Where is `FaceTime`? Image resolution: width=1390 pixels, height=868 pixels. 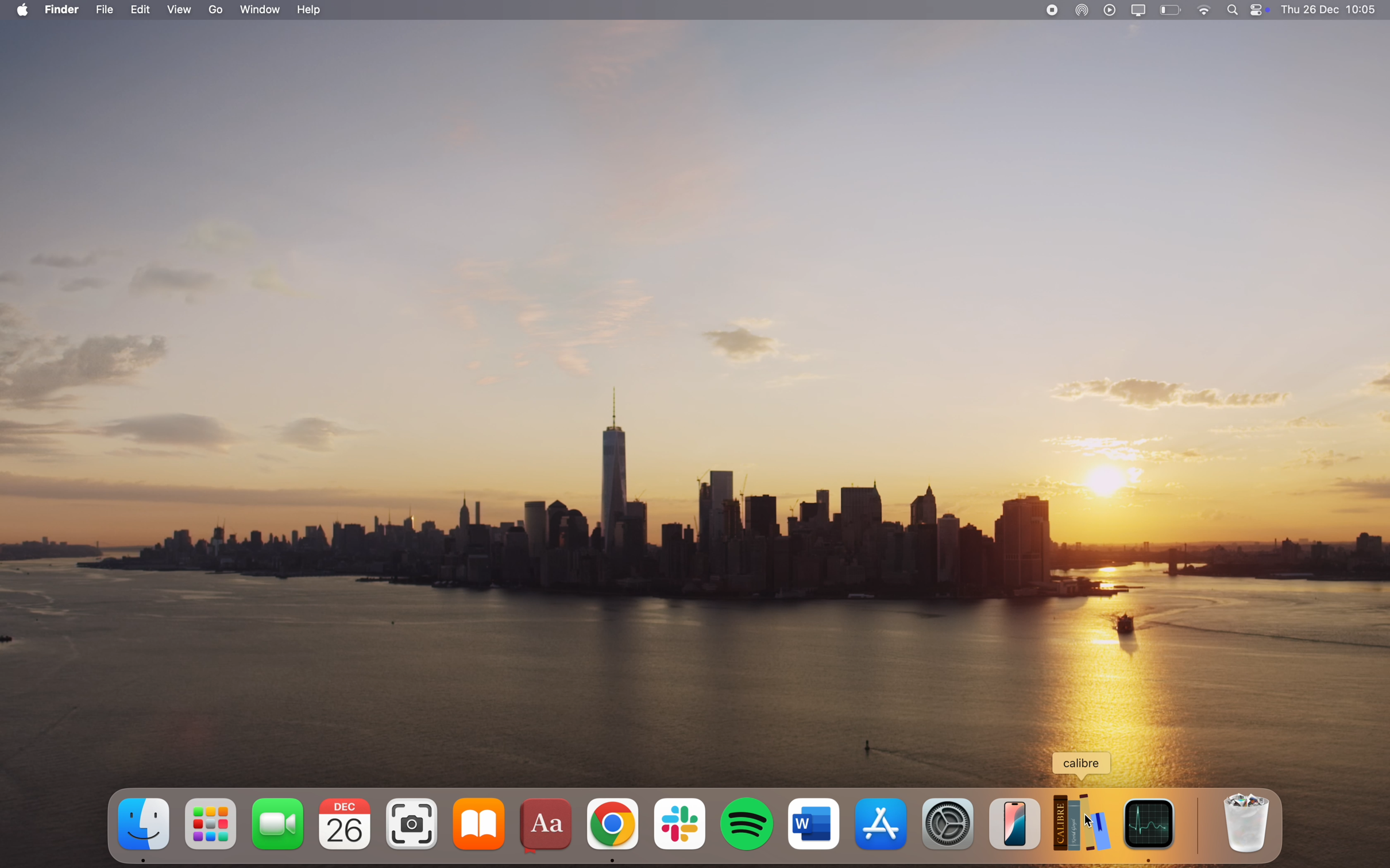
FaceTime is located at coordinates (276, 820).